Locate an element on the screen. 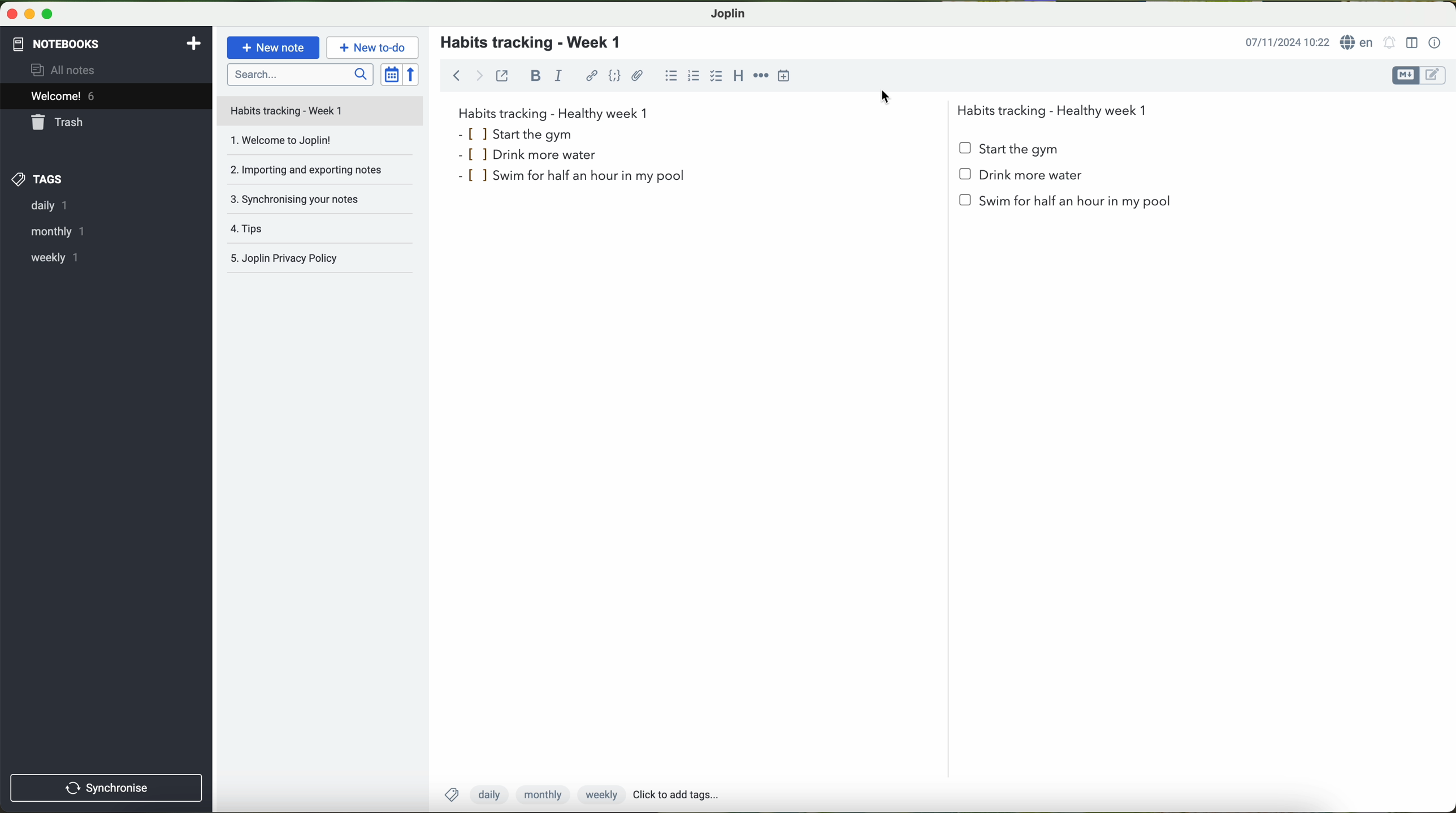 The height and width of the screenshot is (813, 1456). hyperlink is located at coordinates (592, 76).